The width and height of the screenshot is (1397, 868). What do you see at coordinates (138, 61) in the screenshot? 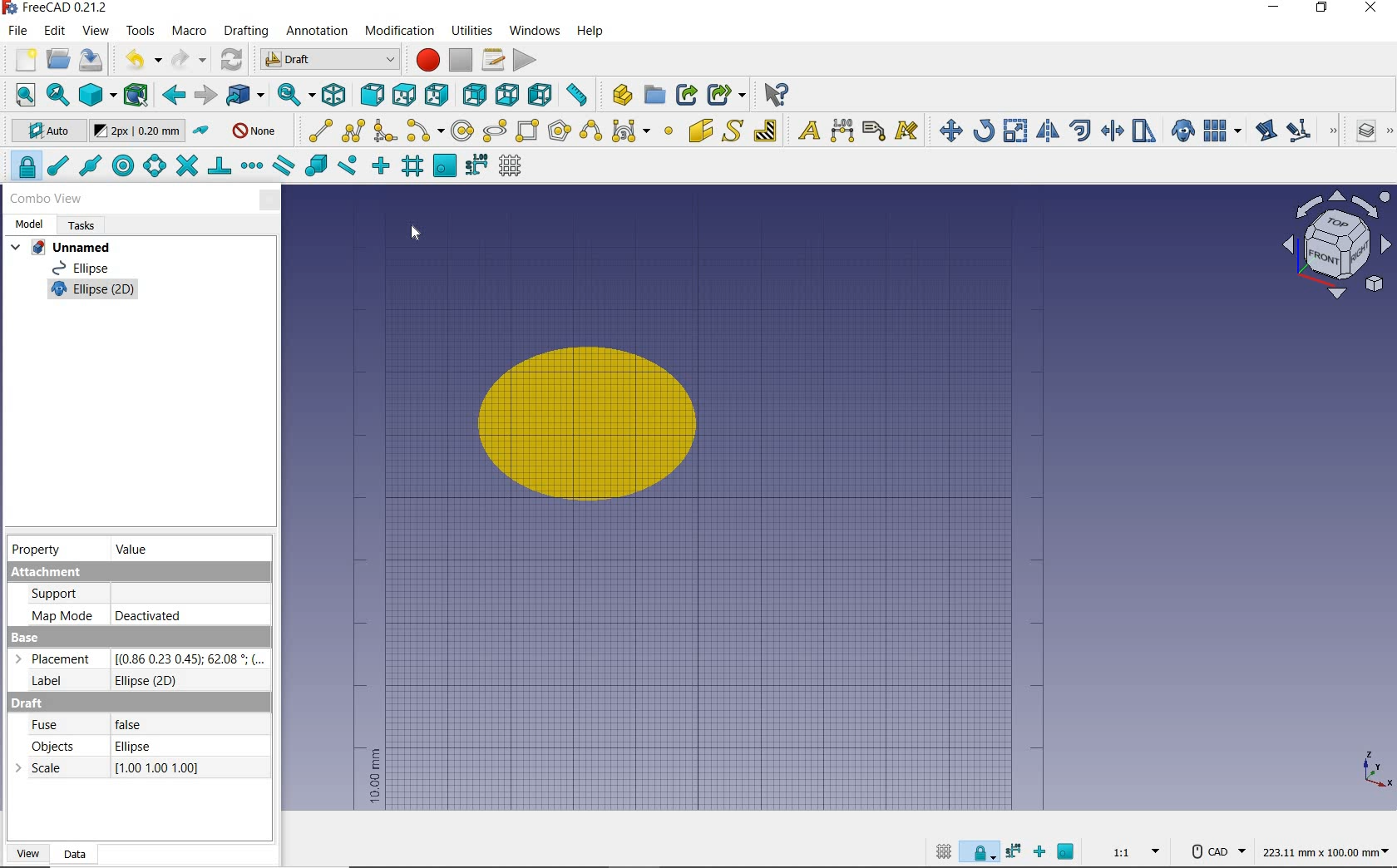
I see `undo` at bounding box center [138, 61].